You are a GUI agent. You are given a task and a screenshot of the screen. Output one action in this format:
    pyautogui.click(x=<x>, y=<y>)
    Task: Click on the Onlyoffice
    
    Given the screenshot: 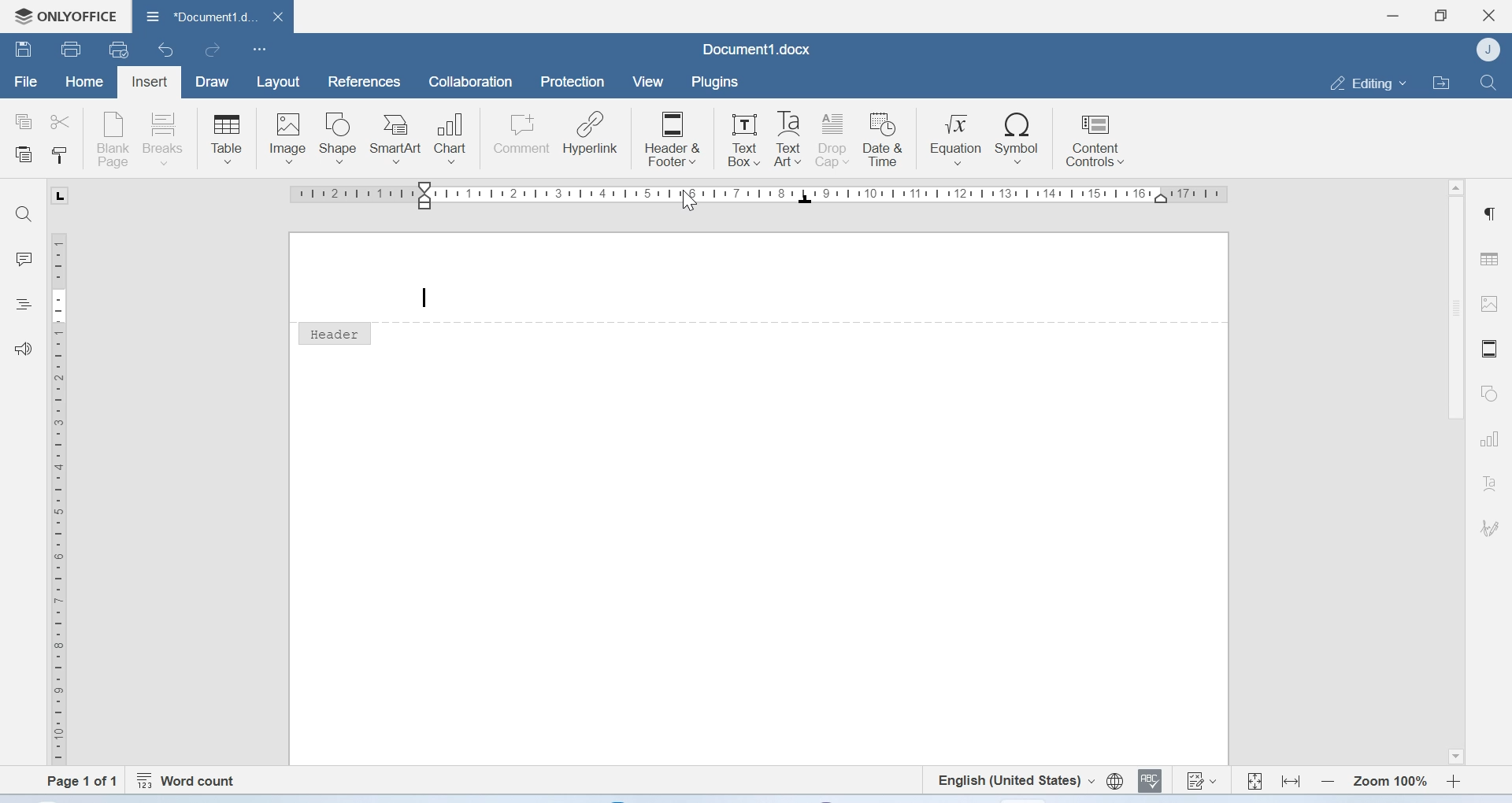 What is the action you would take?
    pyautogui.click(x=65, y=14)
    